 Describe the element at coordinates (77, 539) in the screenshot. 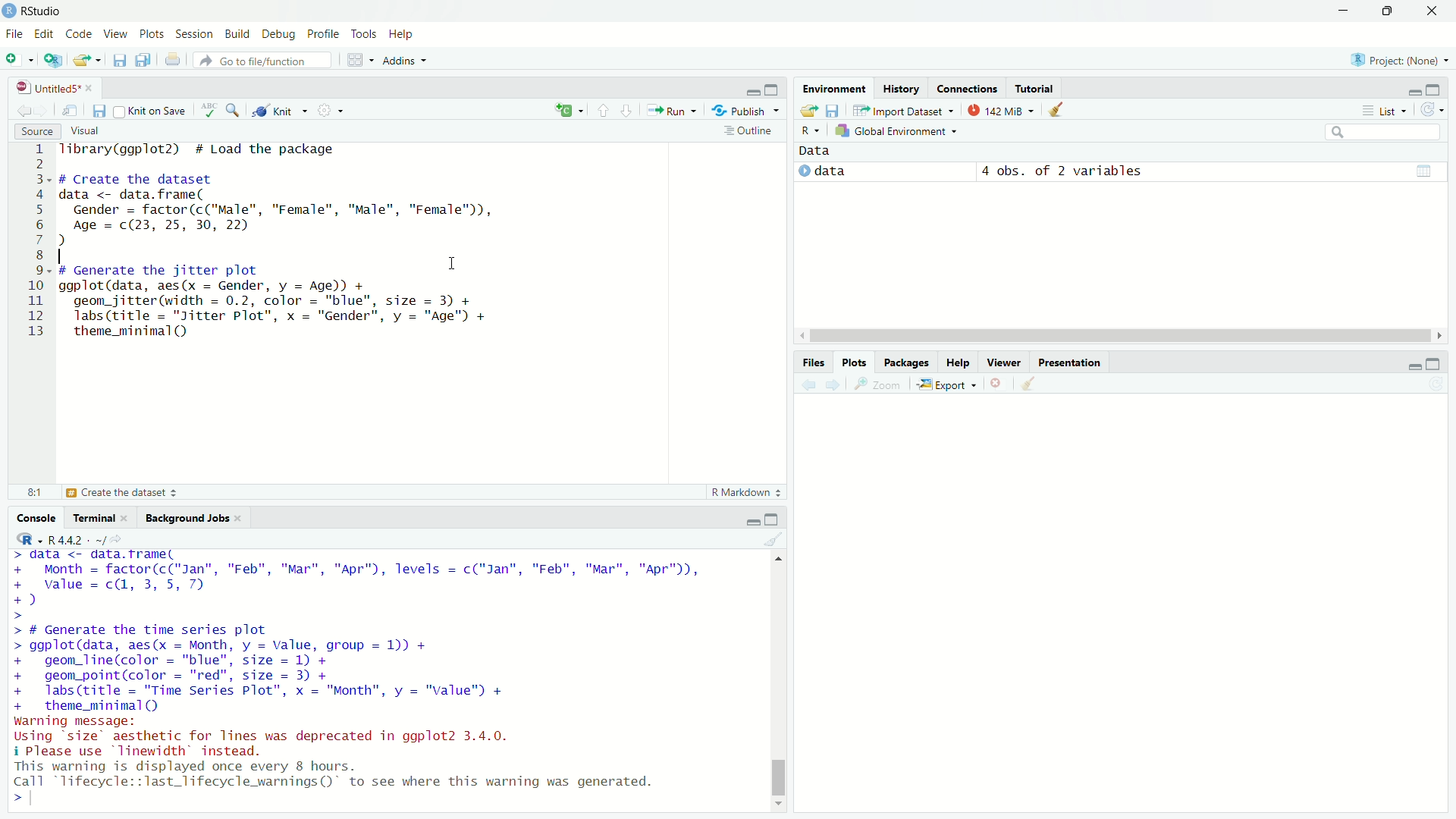

I see `R 4.4.2 . ~/` at that location.